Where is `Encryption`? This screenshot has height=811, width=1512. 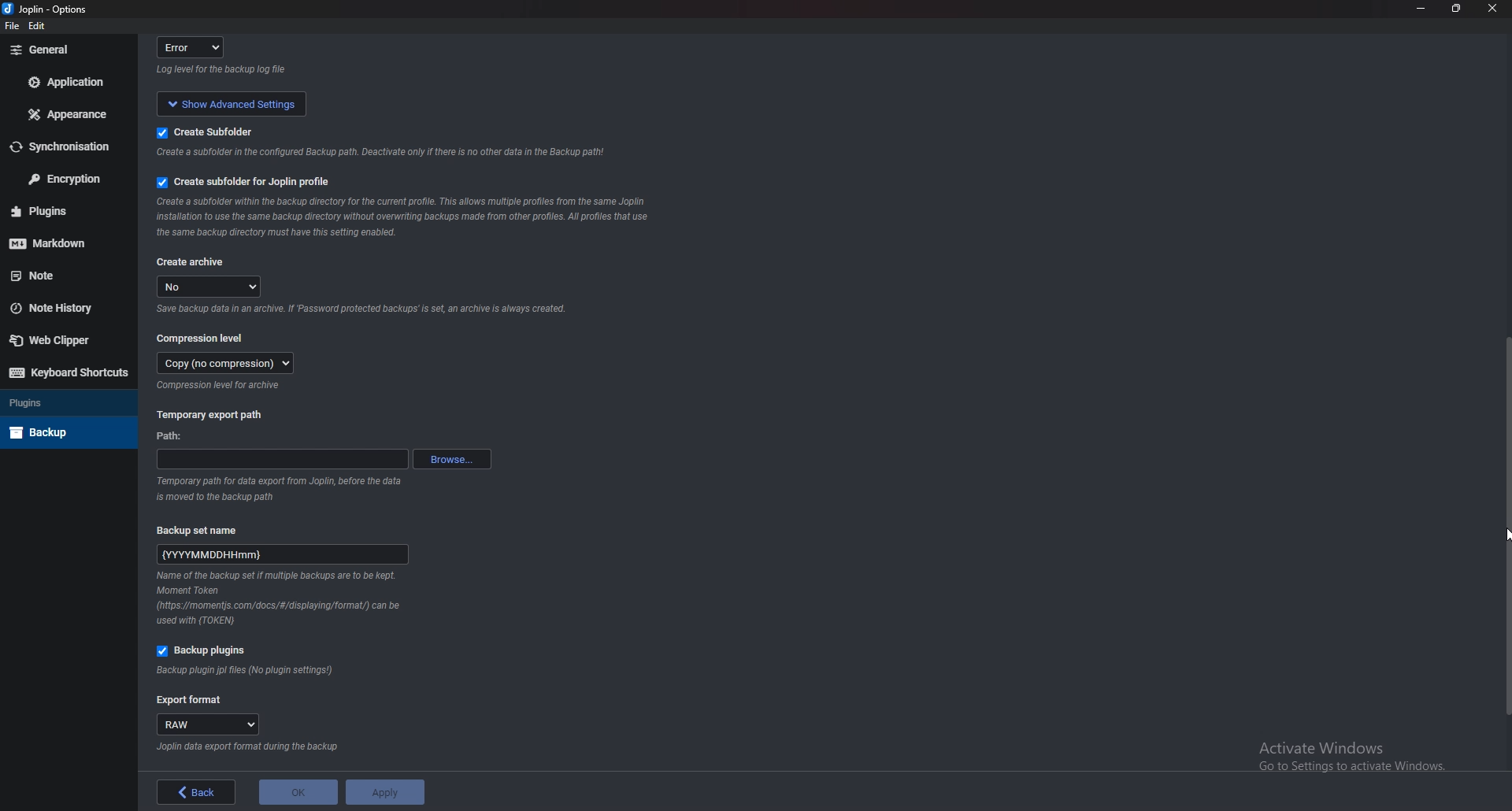 Encryption is located at coordinates (65, 178).